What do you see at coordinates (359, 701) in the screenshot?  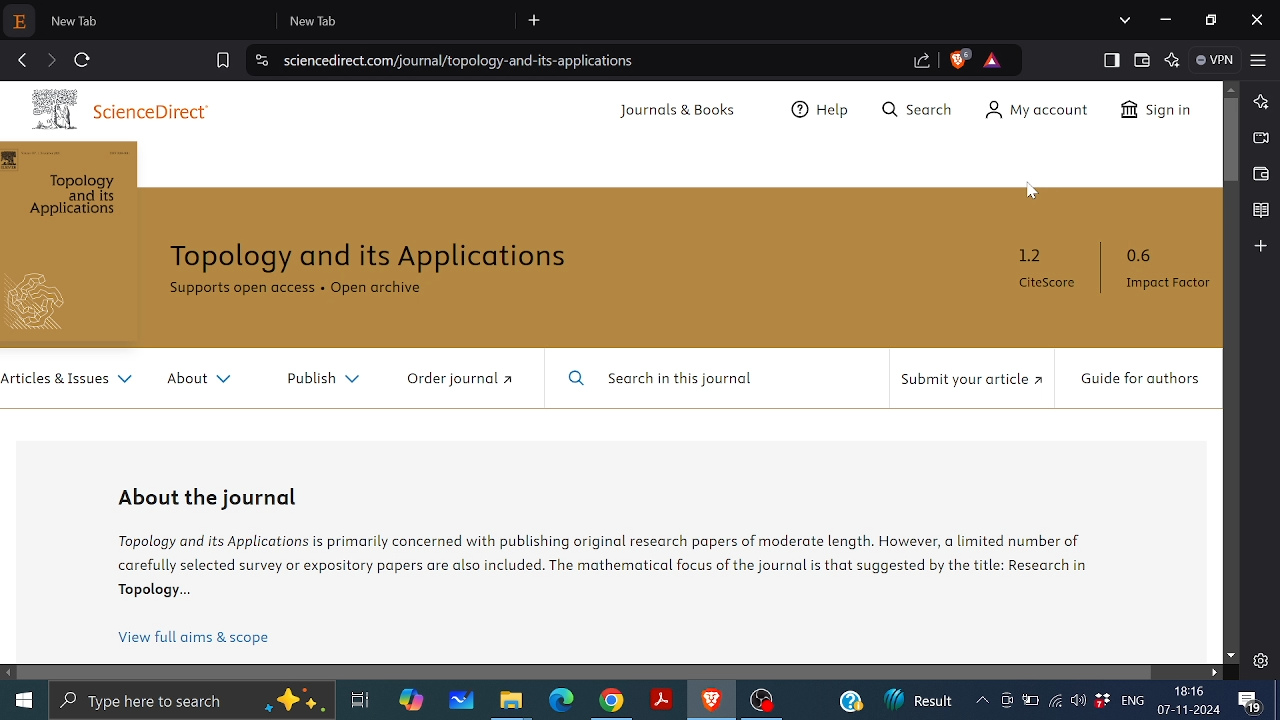 I see `Task view` at bounding box center [359, 701].